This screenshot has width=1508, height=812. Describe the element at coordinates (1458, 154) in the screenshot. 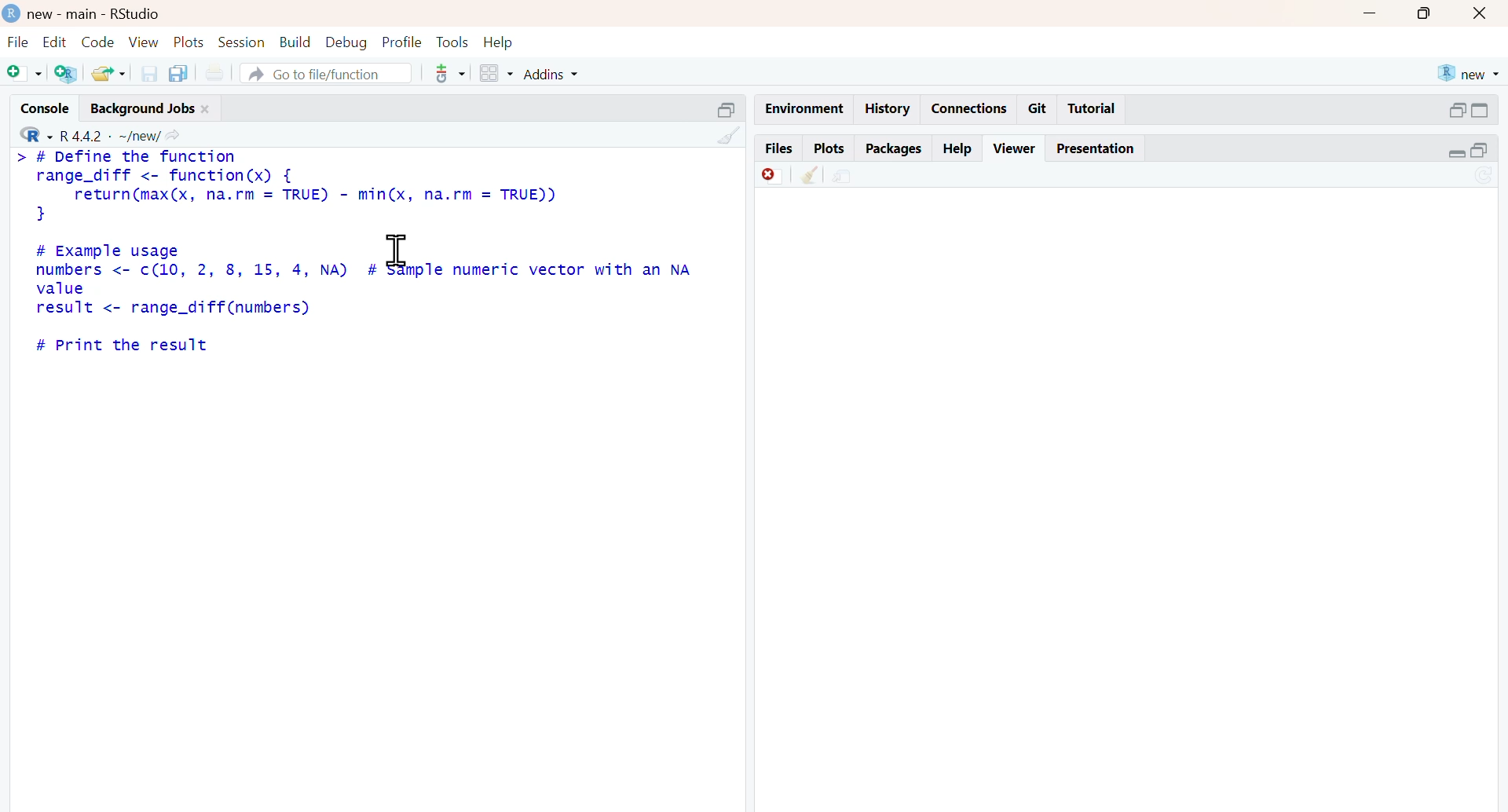

I see `Collapse /expand` at that location.